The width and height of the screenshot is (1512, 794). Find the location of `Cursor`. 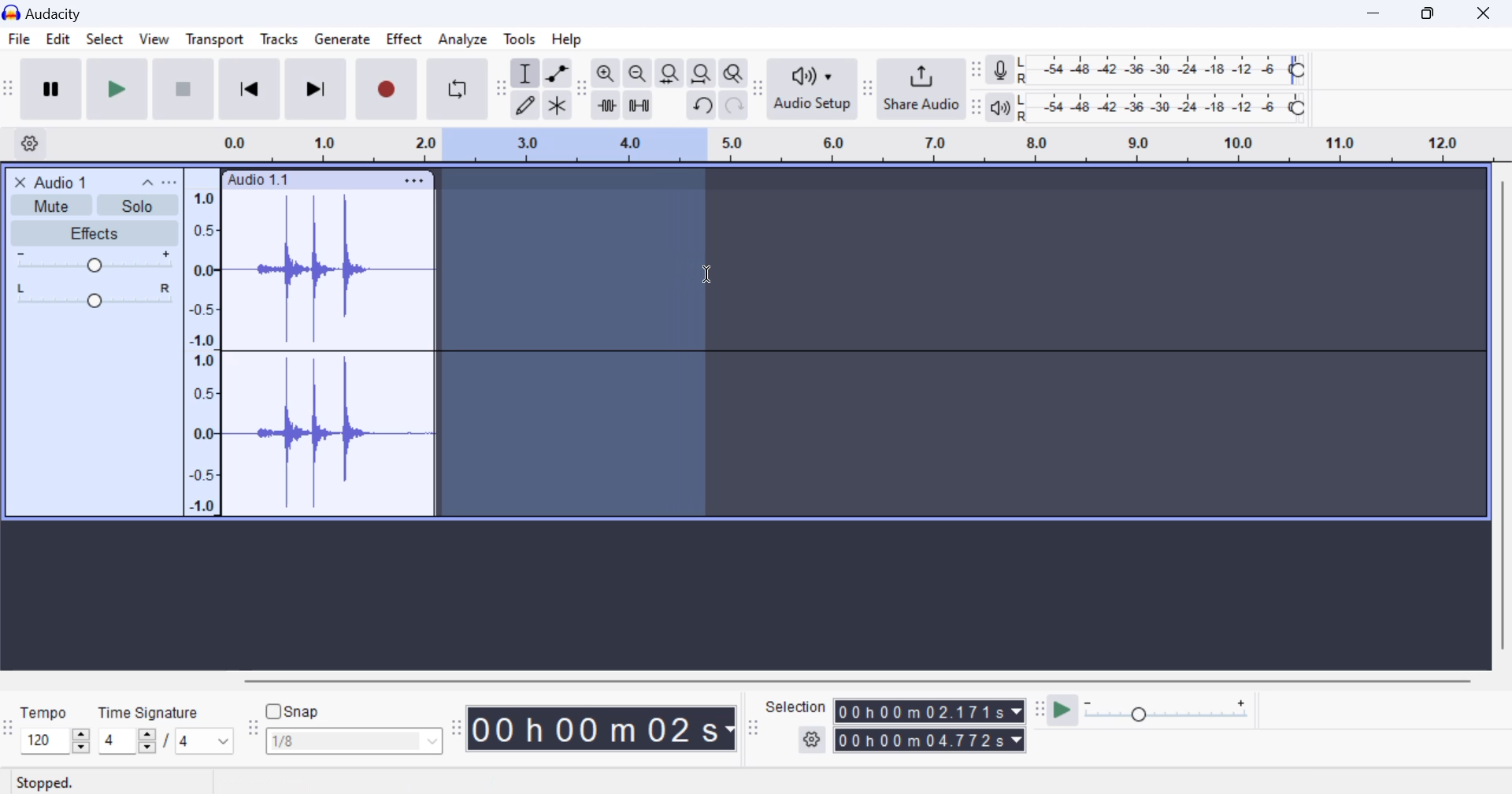

Cursor is located at coordinates (708, 273).